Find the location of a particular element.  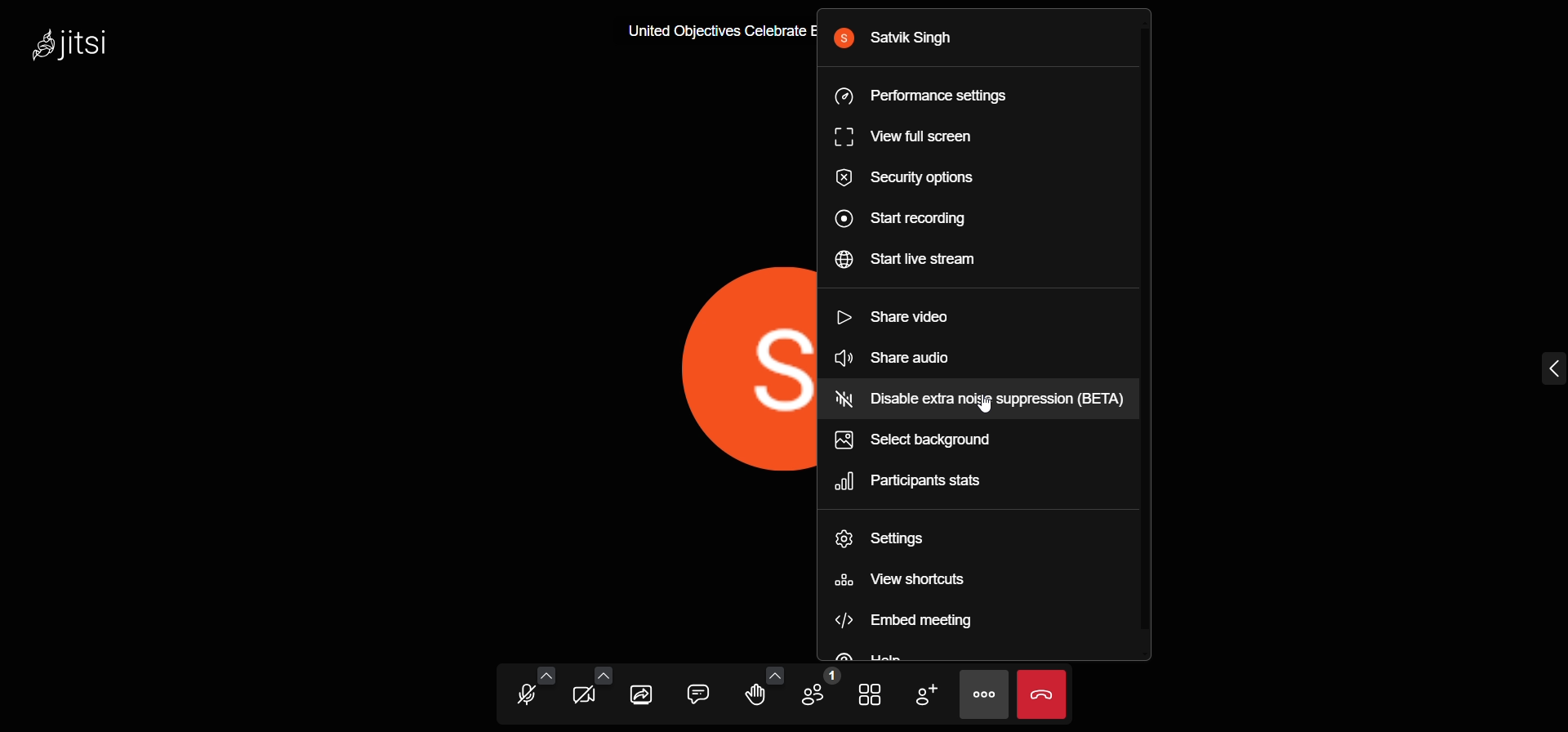

security option is located at coordinates (908, 176).